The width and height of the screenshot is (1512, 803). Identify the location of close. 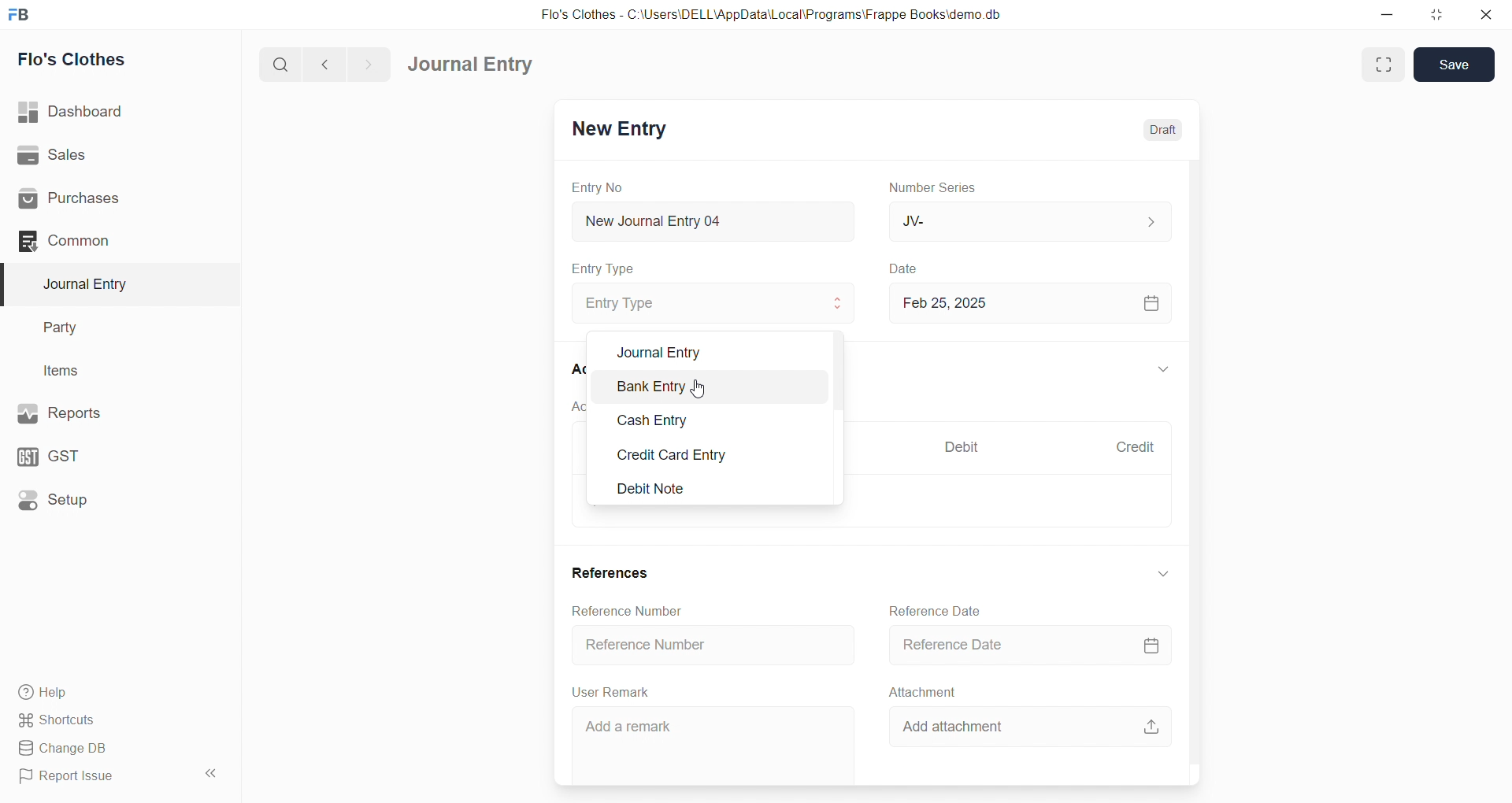
(1485, 14).